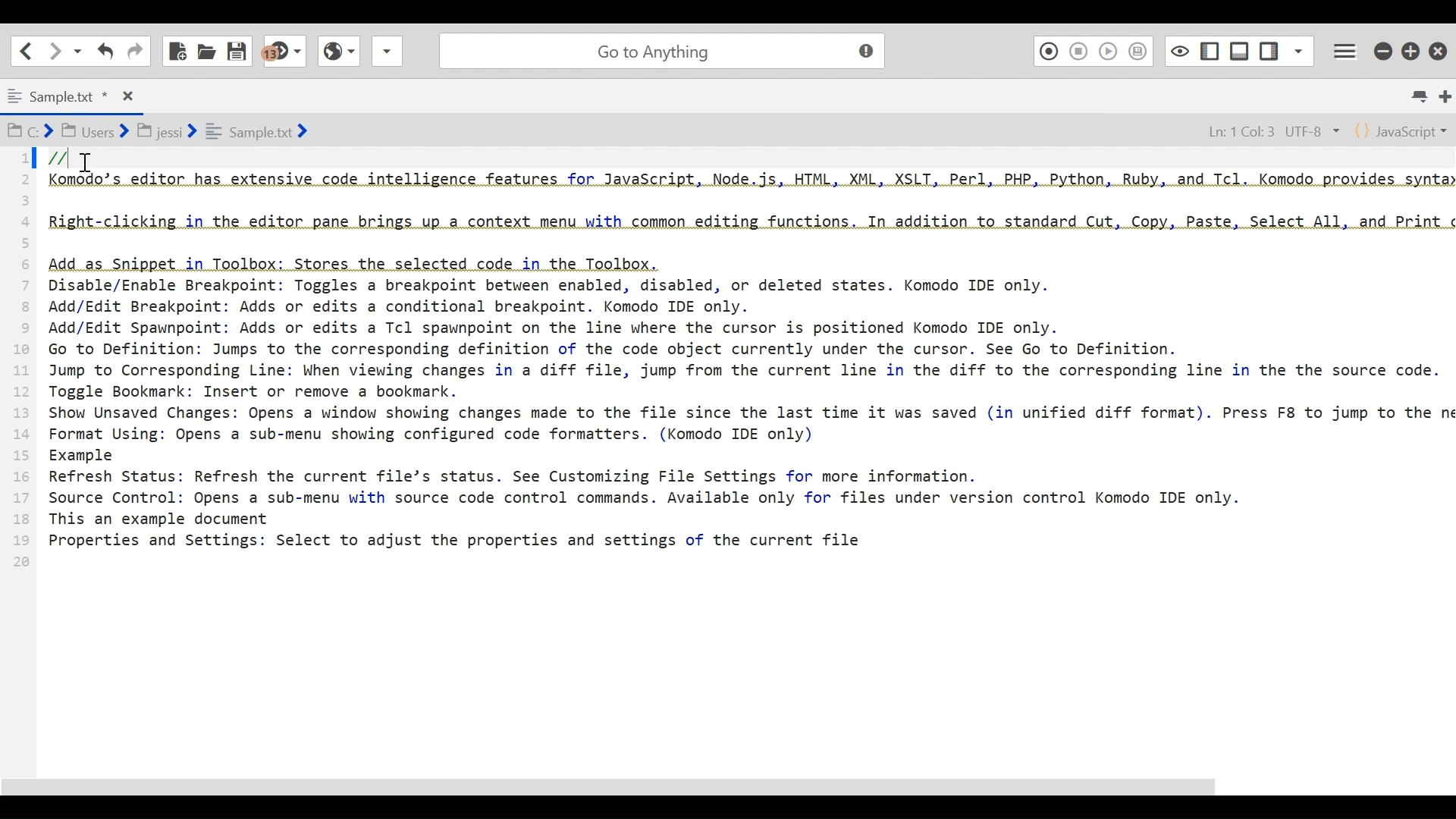  What do you see at coordinates (135, 50) in the screenshot?
I see `Redo` at bounding box center [135, 50].